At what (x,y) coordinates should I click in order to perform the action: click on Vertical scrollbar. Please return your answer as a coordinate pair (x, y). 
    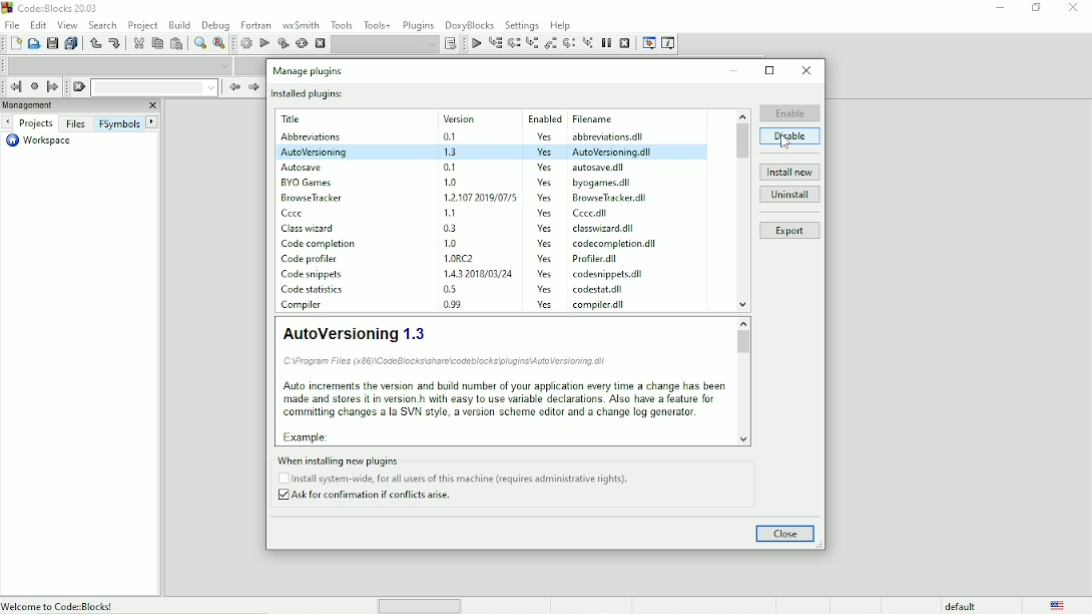
    Looking at the image, I should click on (745, 384).